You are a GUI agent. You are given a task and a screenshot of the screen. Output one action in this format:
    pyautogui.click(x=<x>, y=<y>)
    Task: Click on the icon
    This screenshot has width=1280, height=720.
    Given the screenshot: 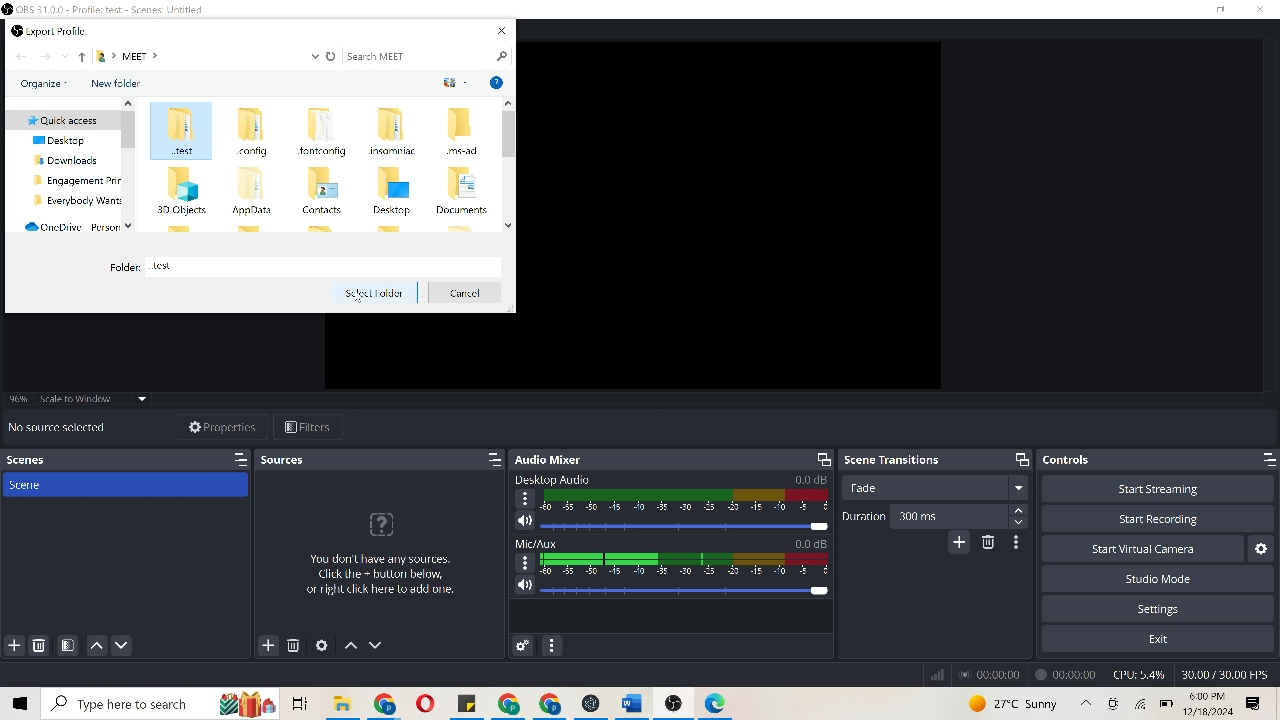 What is the action you would take?
    pyautogui.click(x=717, y=701)
    